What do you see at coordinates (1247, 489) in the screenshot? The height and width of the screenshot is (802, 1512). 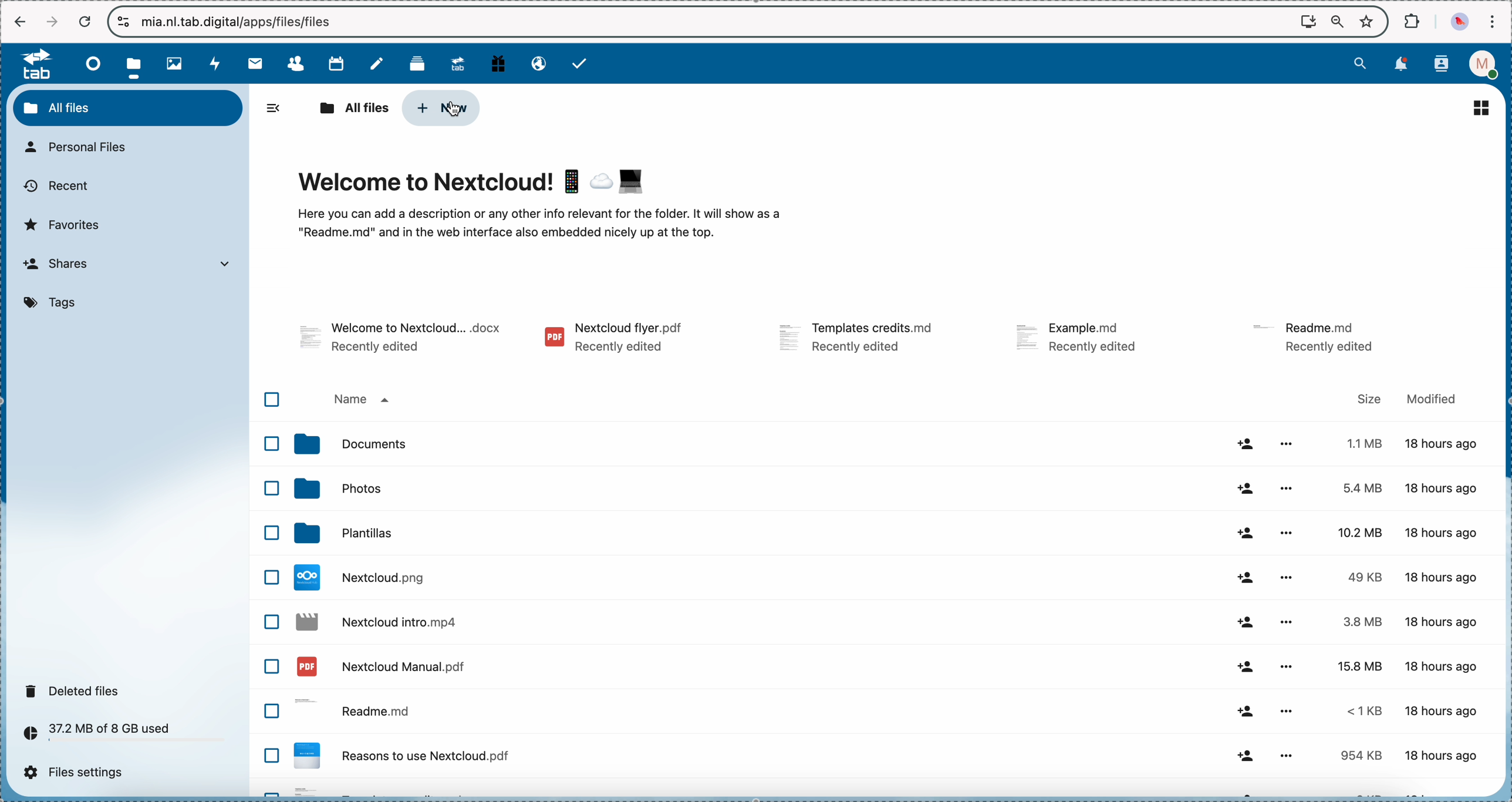 I see `share` at bounding box center [1247, 489].